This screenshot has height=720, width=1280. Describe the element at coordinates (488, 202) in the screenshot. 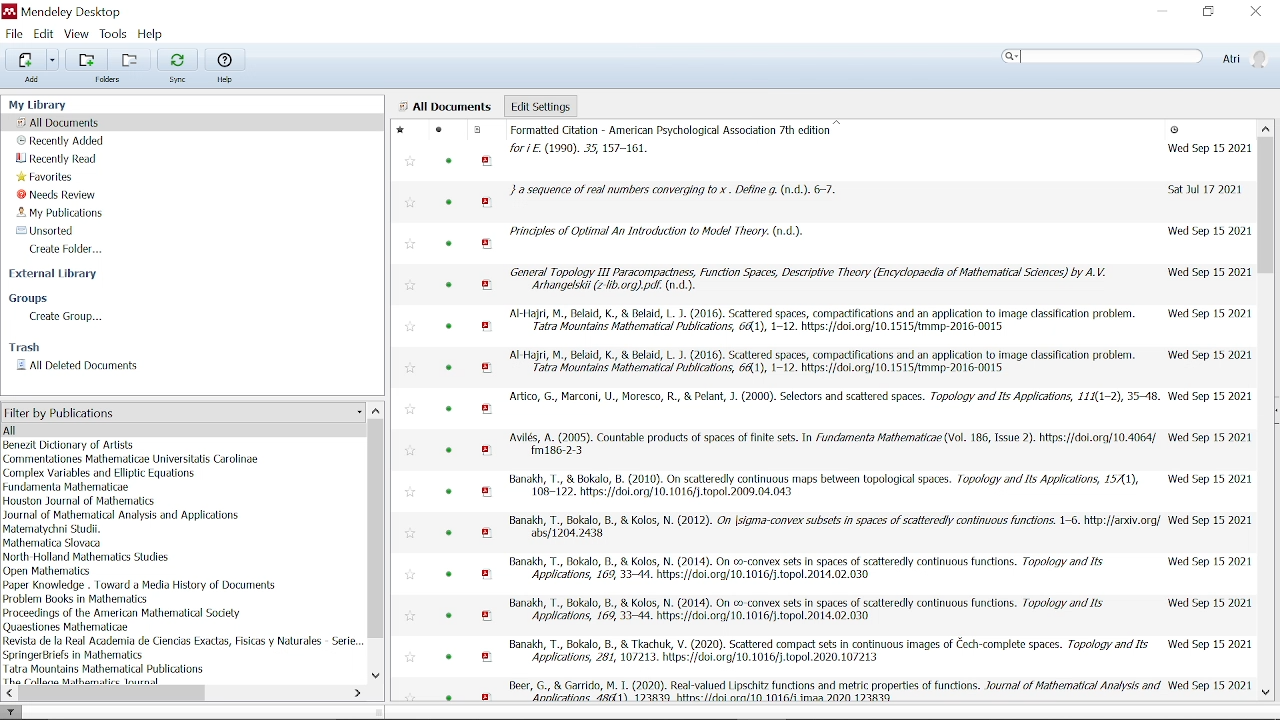

I see `pdf` at that location.